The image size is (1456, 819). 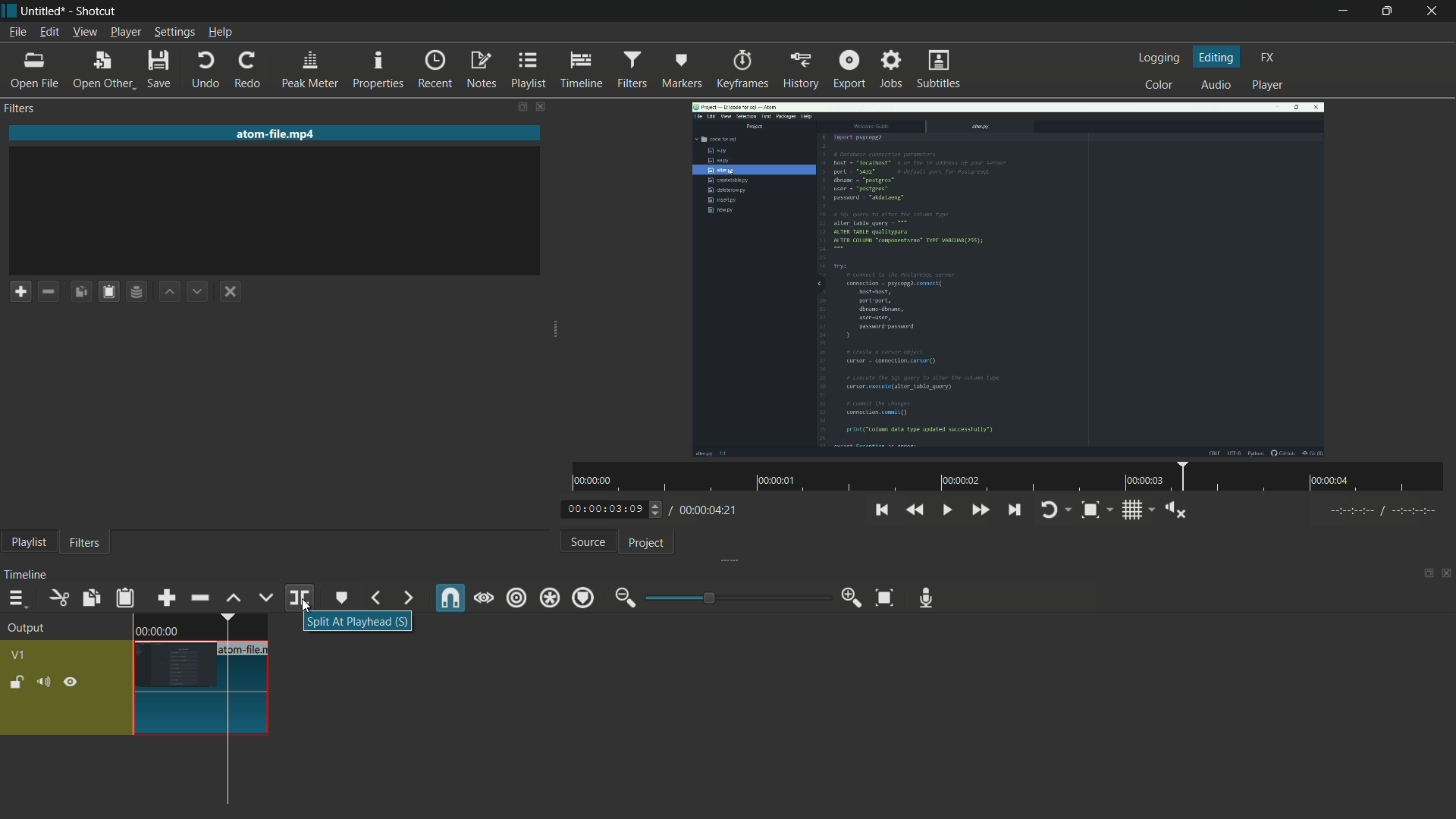 I want to click on skip to the previous point, so click(x=886, y=510).